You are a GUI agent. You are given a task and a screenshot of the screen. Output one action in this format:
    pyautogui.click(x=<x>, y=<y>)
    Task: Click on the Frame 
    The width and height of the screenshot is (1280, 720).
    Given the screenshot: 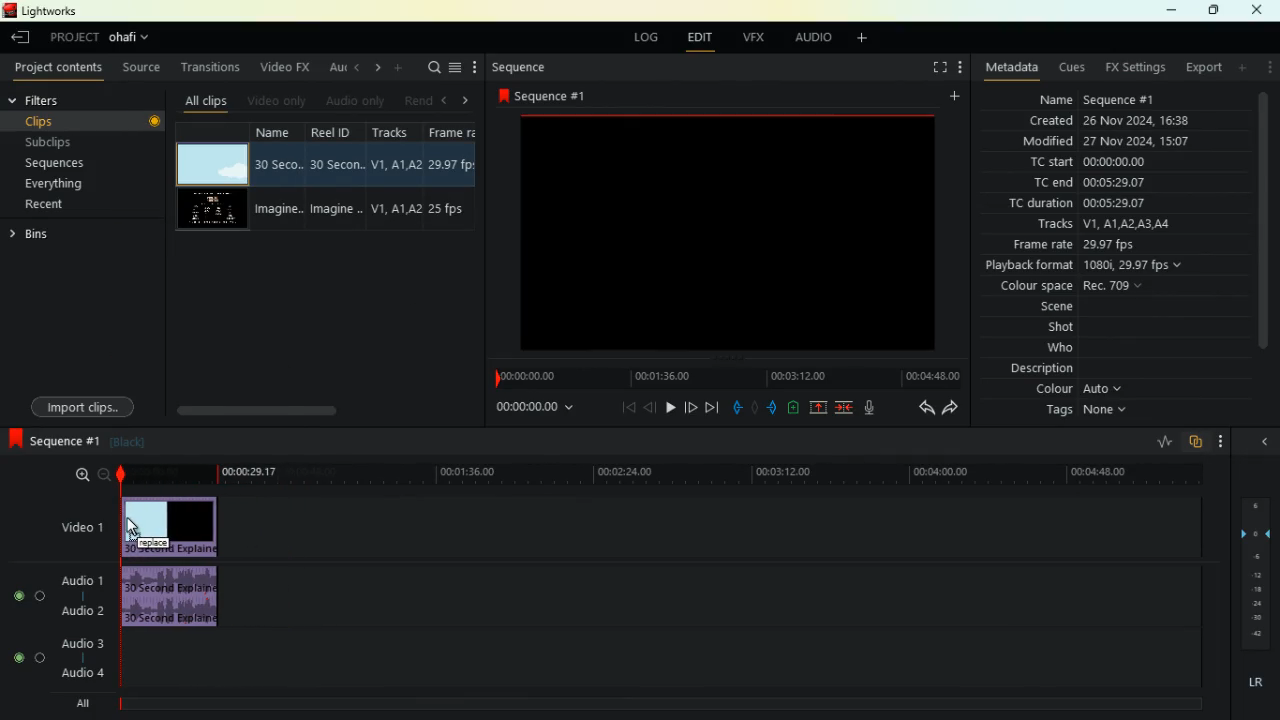 What is the action you would take?
    pyautogui.click(x=452, y=133)
    